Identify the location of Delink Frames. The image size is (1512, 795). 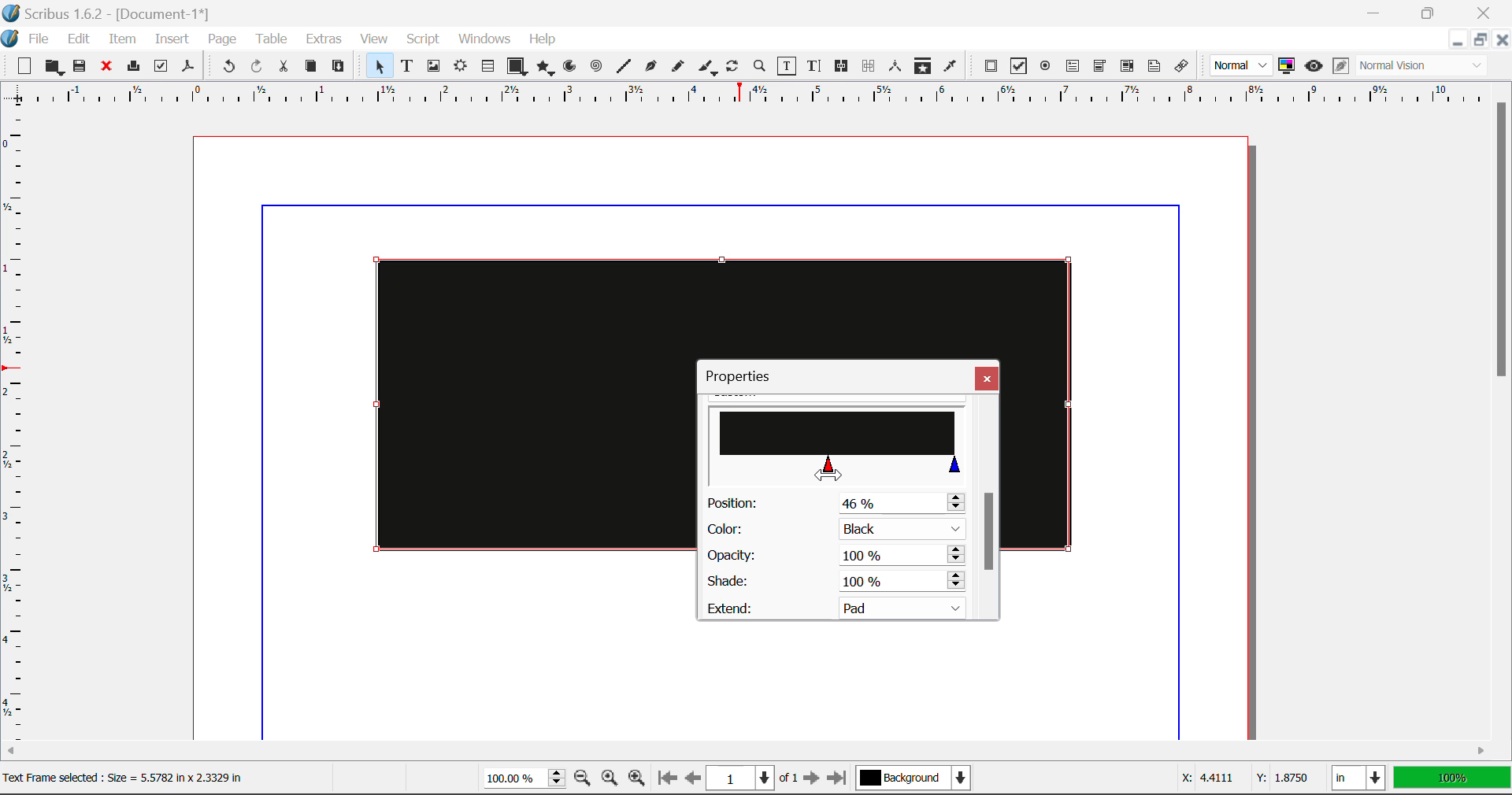
(869, 66).